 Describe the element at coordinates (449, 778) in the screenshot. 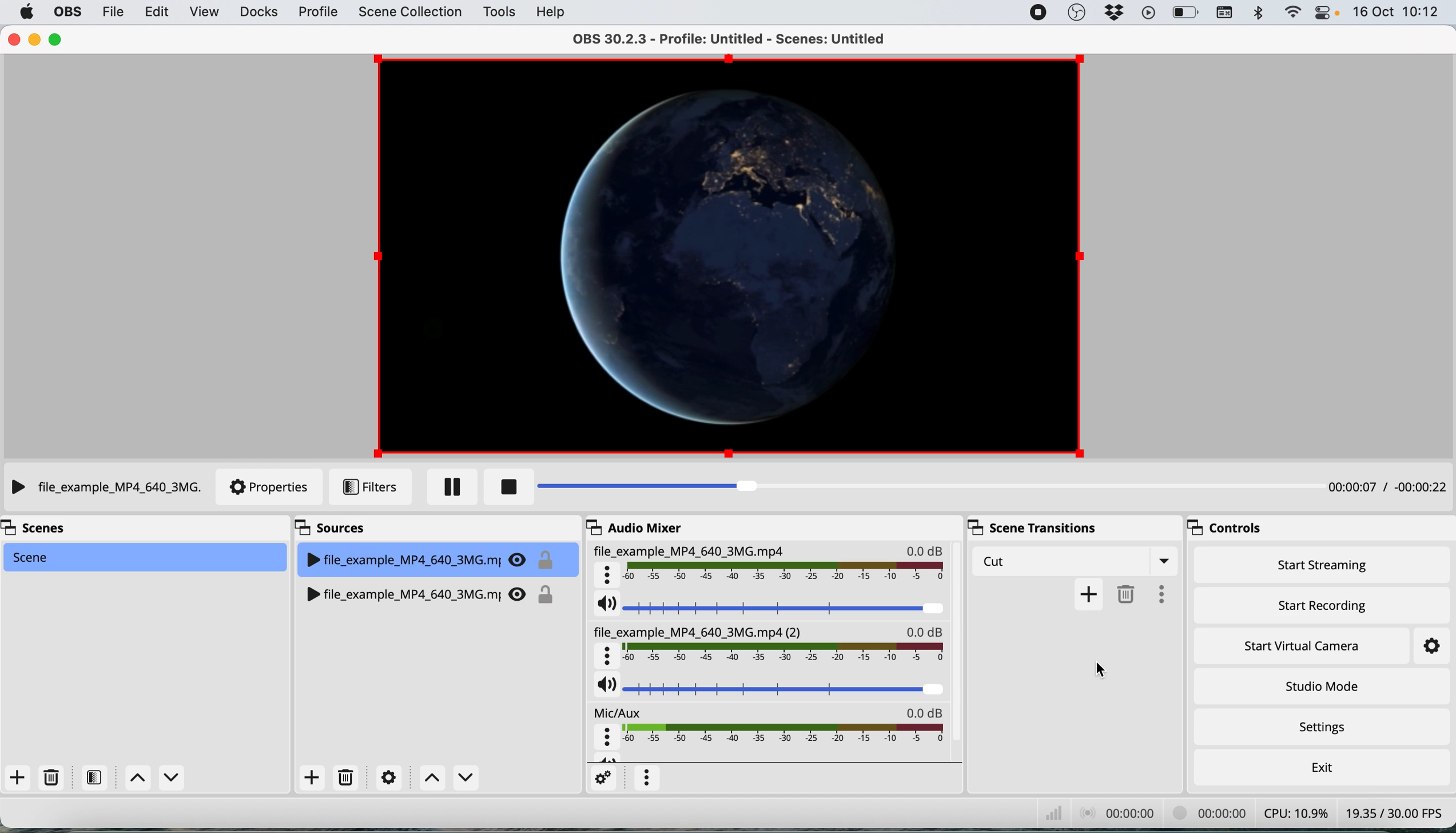

I see `switch between sources` at that location.